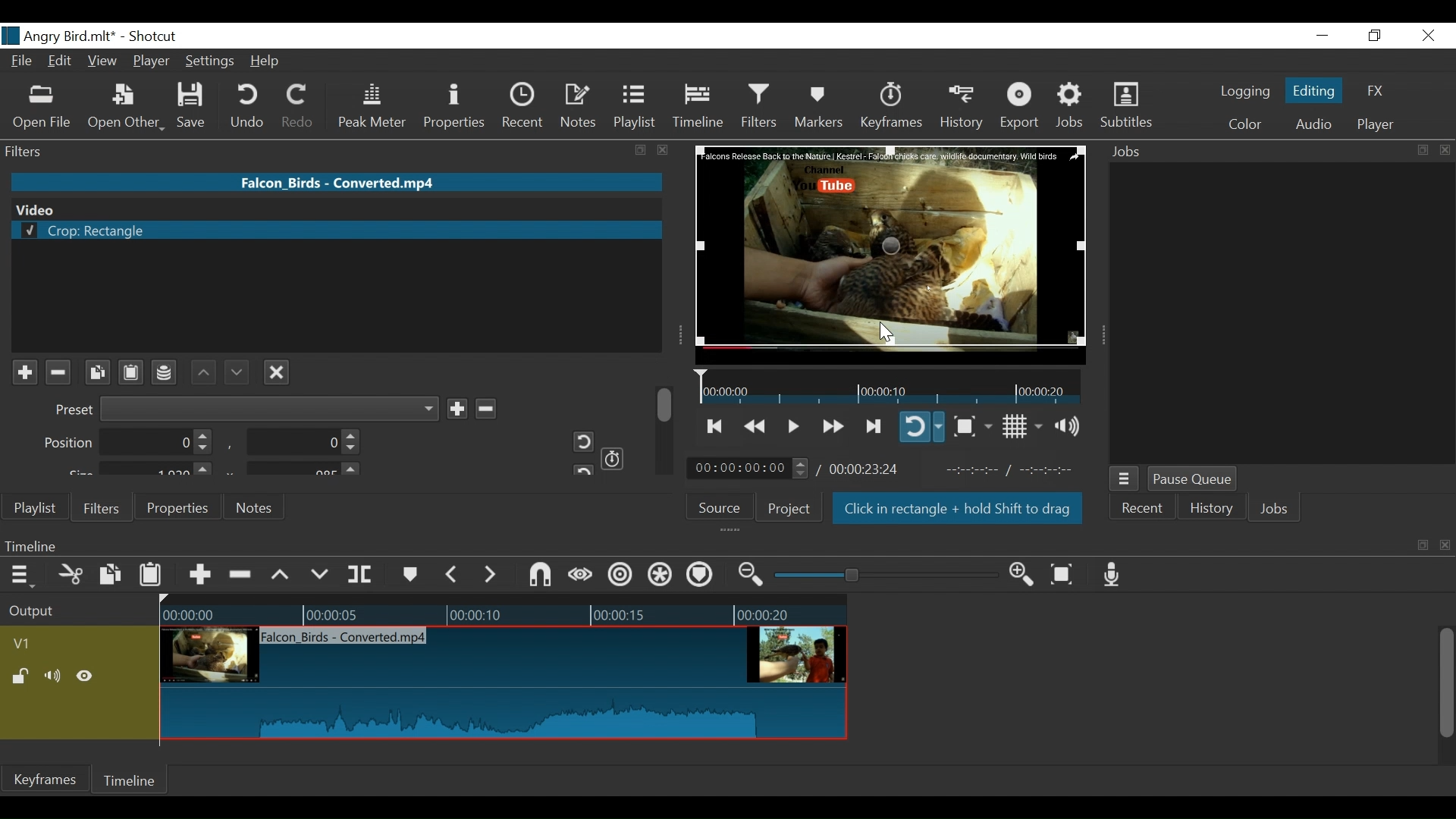 Image resolution: width=1456 pixels, height=819 pixels. Describe the element at coordinates (11, 36) in the screenshot. I see `logo` at that location.